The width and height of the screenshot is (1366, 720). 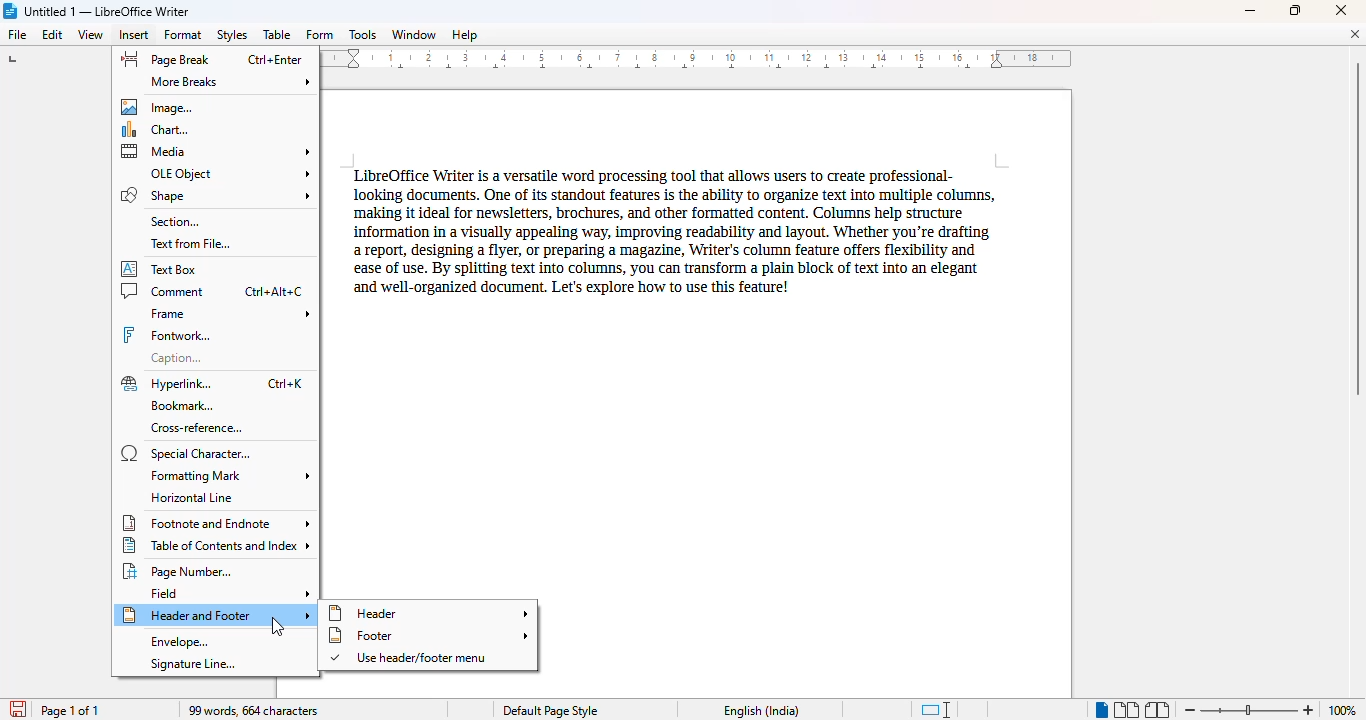 What do you see at coordinates (215, 195) in the screenshot?
I see `shape` at bounding box center [215, 195].